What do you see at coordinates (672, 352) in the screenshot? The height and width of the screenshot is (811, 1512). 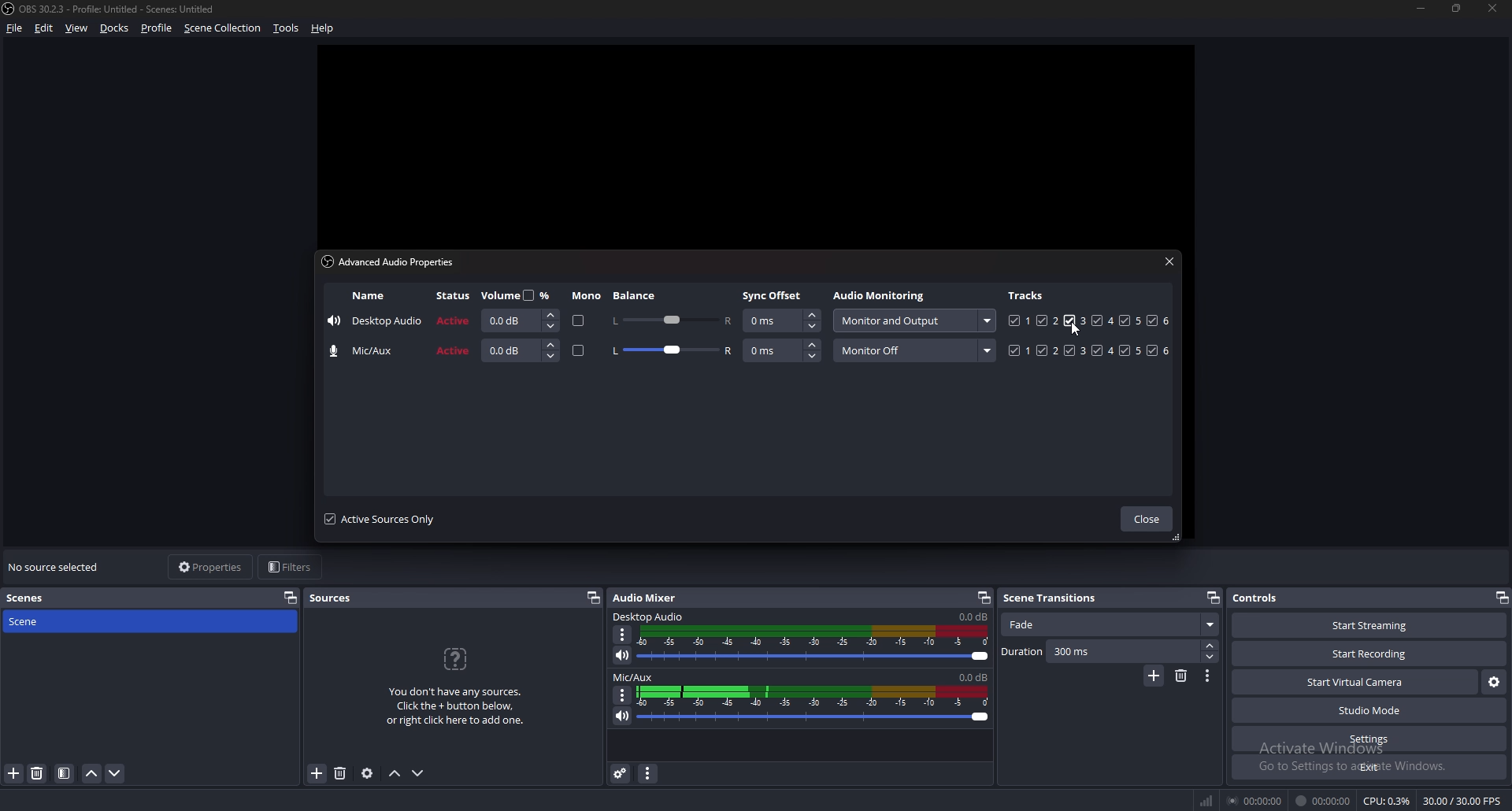 I see `balance adjust` at bounding box center [672, 352].